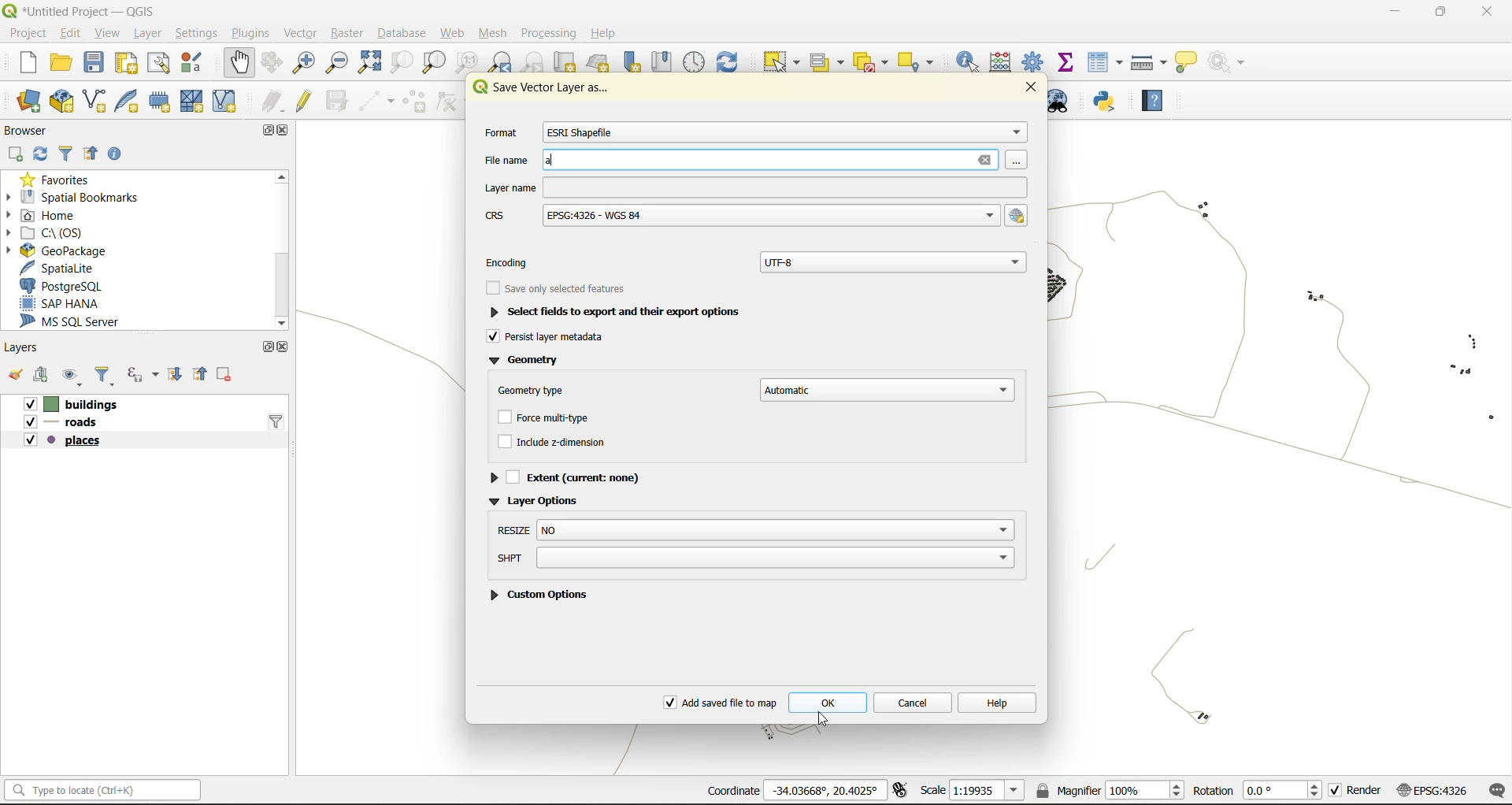  Describe the element at coordinates (564, 444) in the screenshot. I see `2-dimension` at that location.